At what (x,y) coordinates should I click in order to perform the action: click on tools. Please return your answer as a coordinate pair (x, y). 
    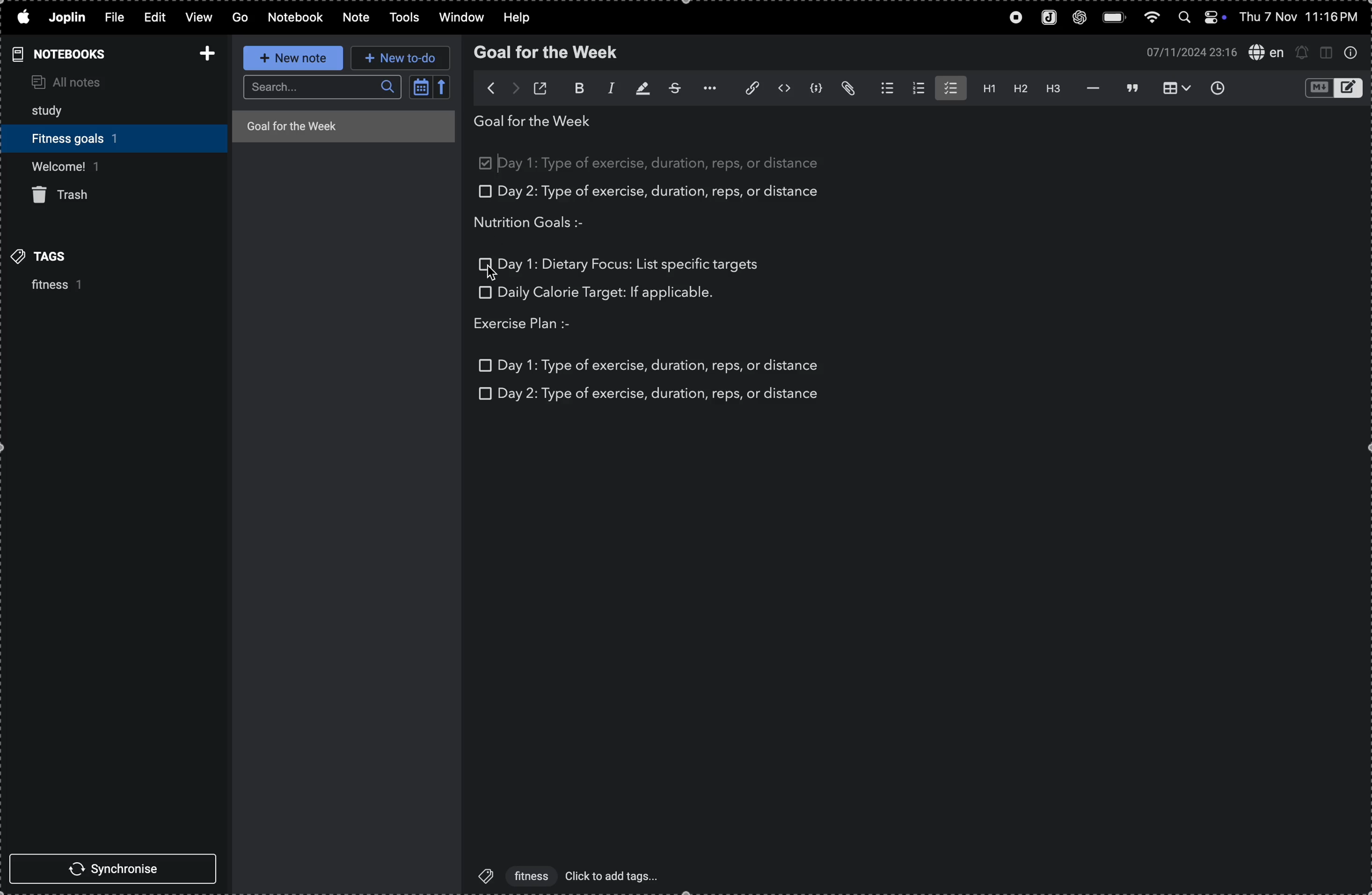
    Looking at the image, I should click on (402, 18).